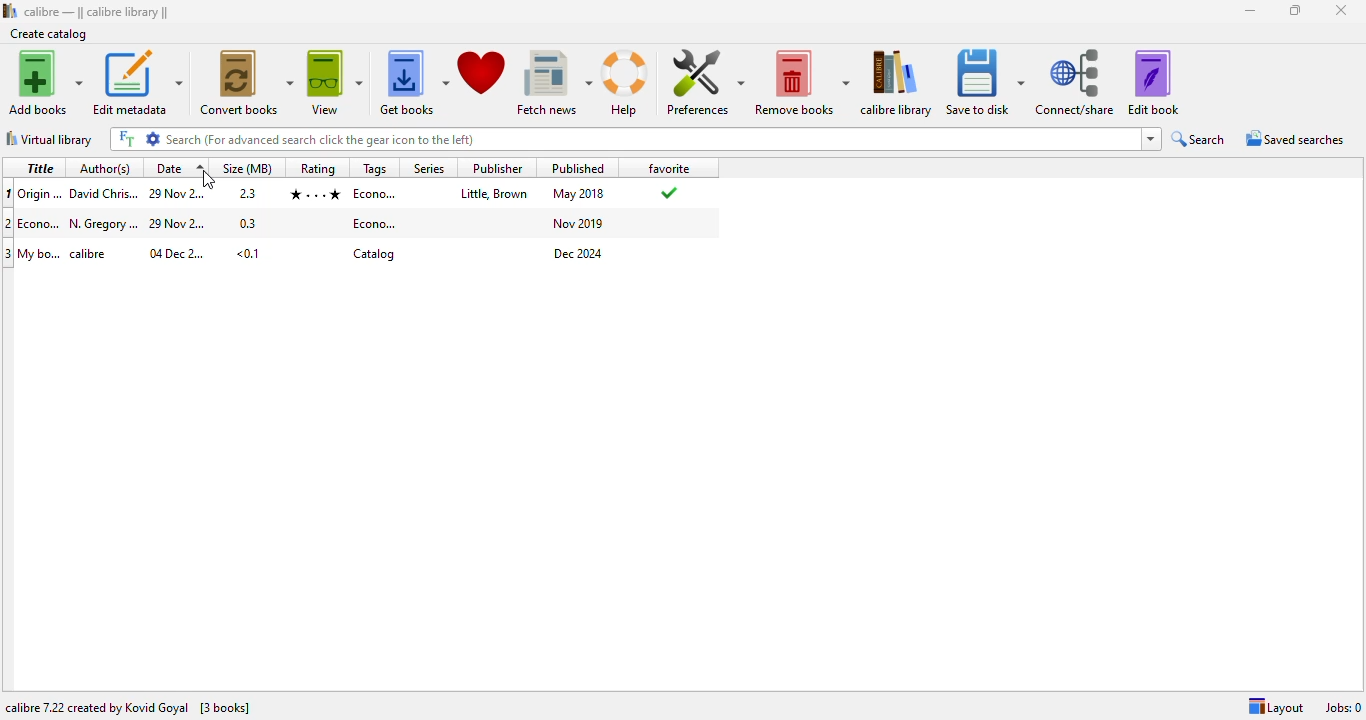 This screenshot has height=720, width=1366. I want to click on layout, so click(1276, 707).